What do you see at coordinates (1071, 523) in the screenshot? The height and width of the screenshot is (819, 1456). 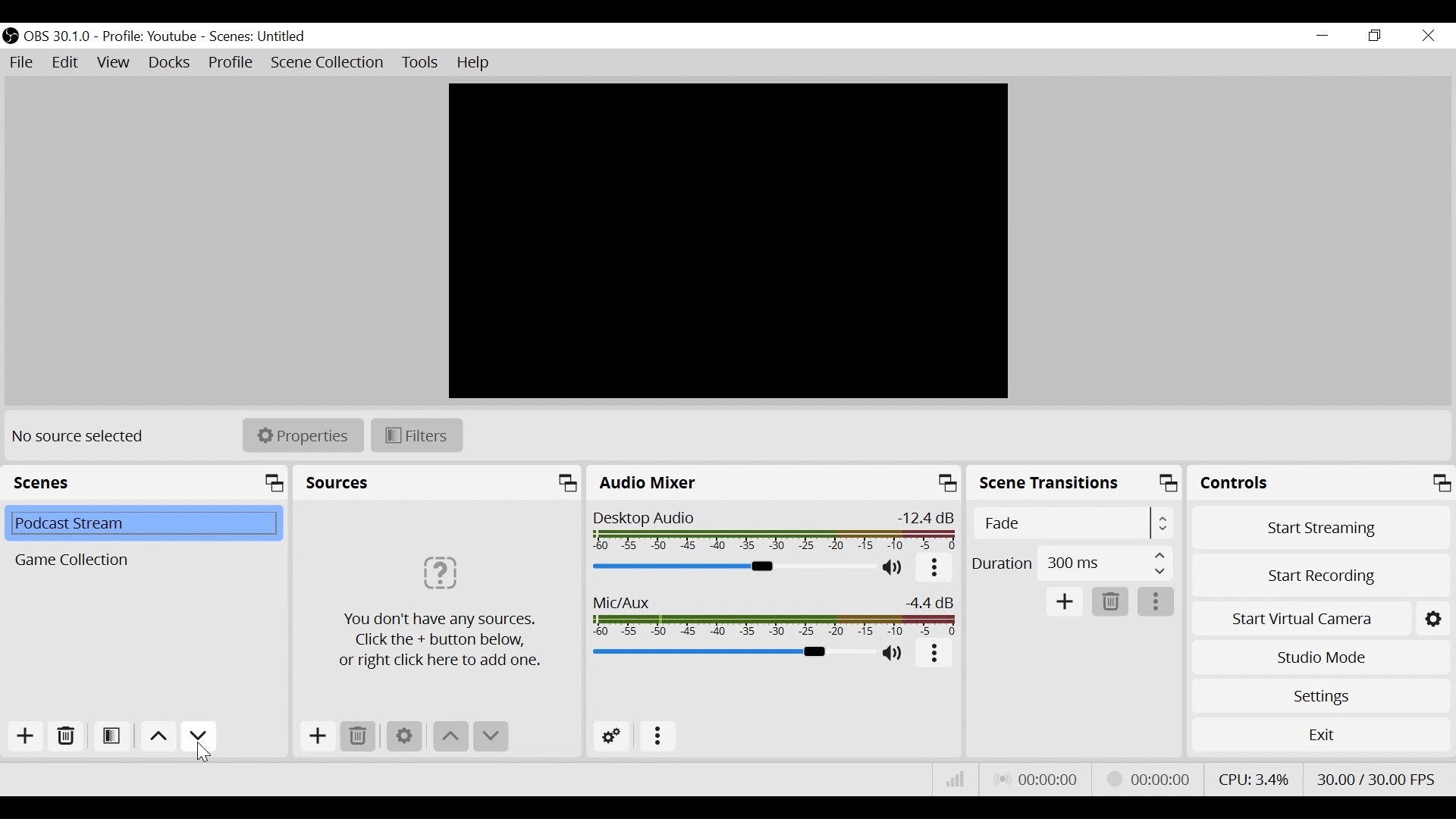 I see `(un)select Scene Transition` at bounding box center [1071, 523].